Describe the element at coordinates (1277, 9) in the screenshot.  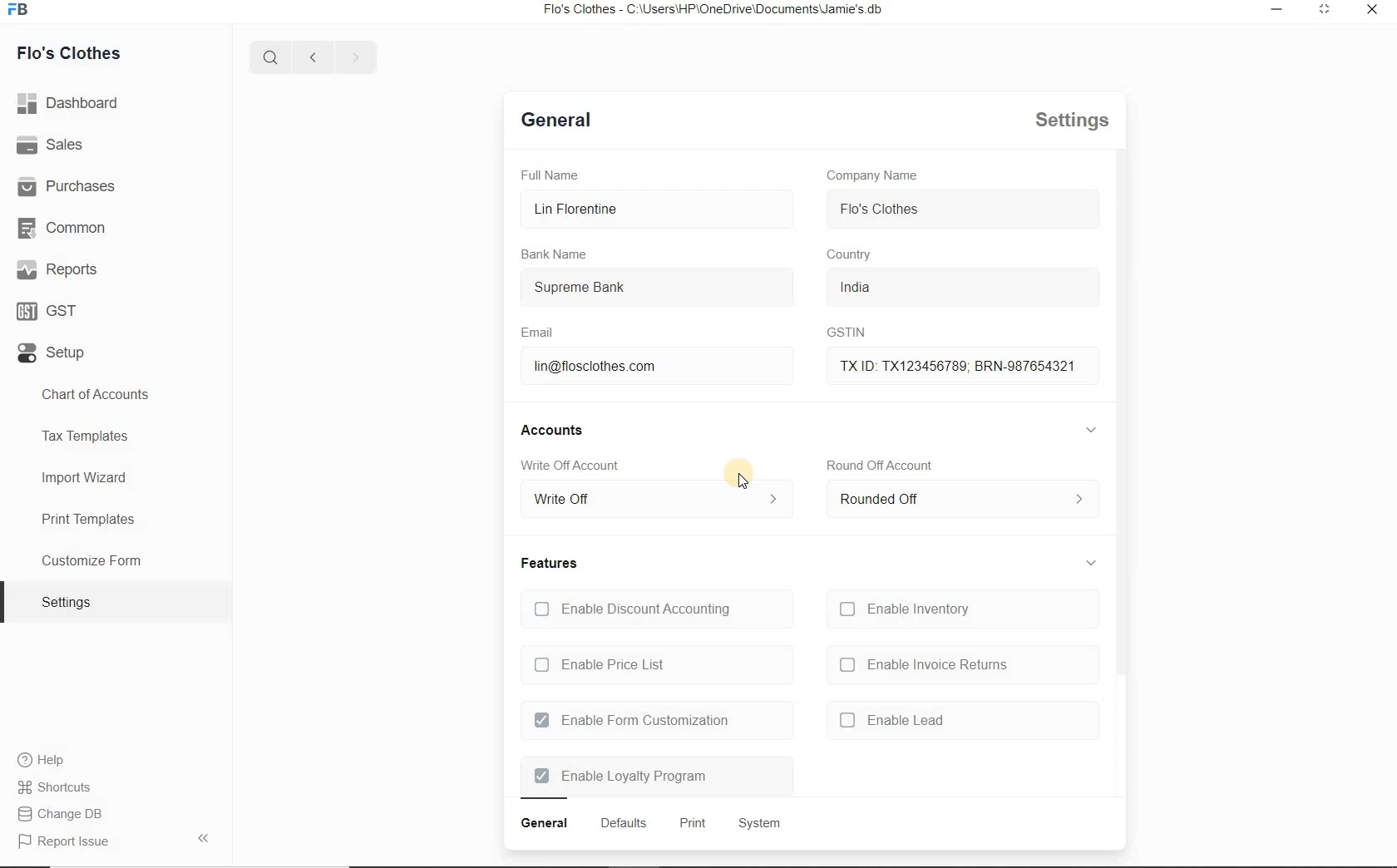
I see `Minimize` at that location.